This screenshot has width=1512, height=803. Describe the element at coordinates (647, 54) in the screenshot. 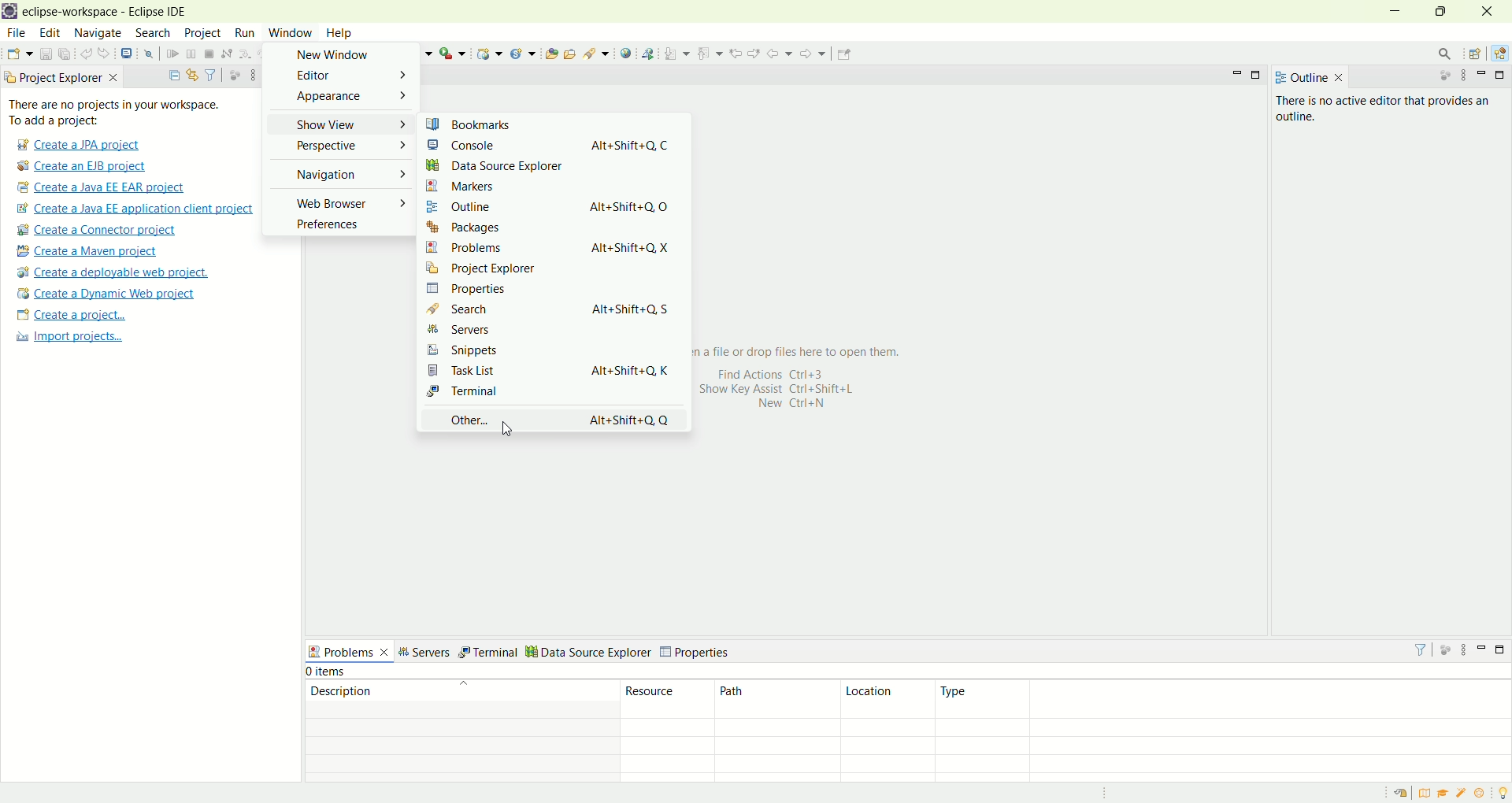

I see `launch the web service explorer` at that location.